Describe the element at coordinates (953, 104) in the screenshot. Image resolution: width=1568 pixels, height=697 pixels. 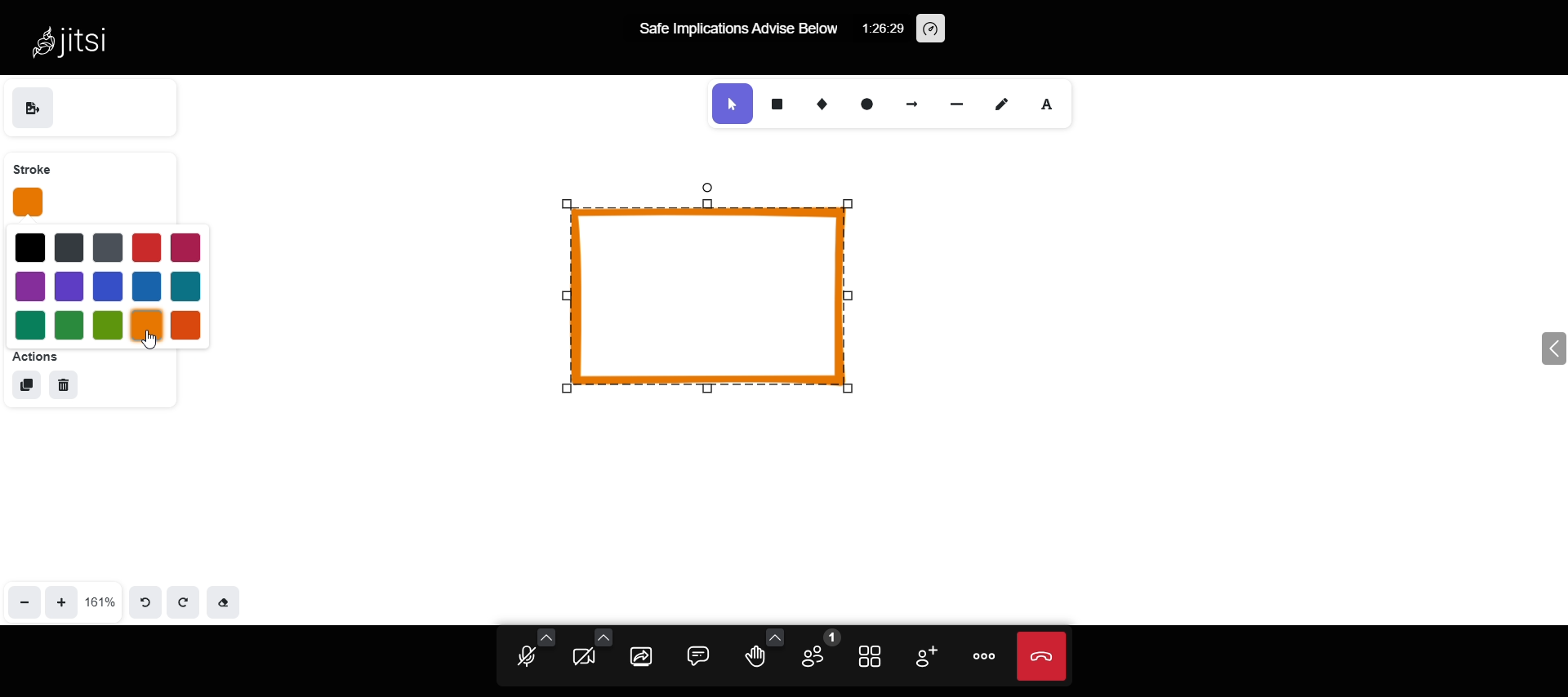
I see `line` at that location.